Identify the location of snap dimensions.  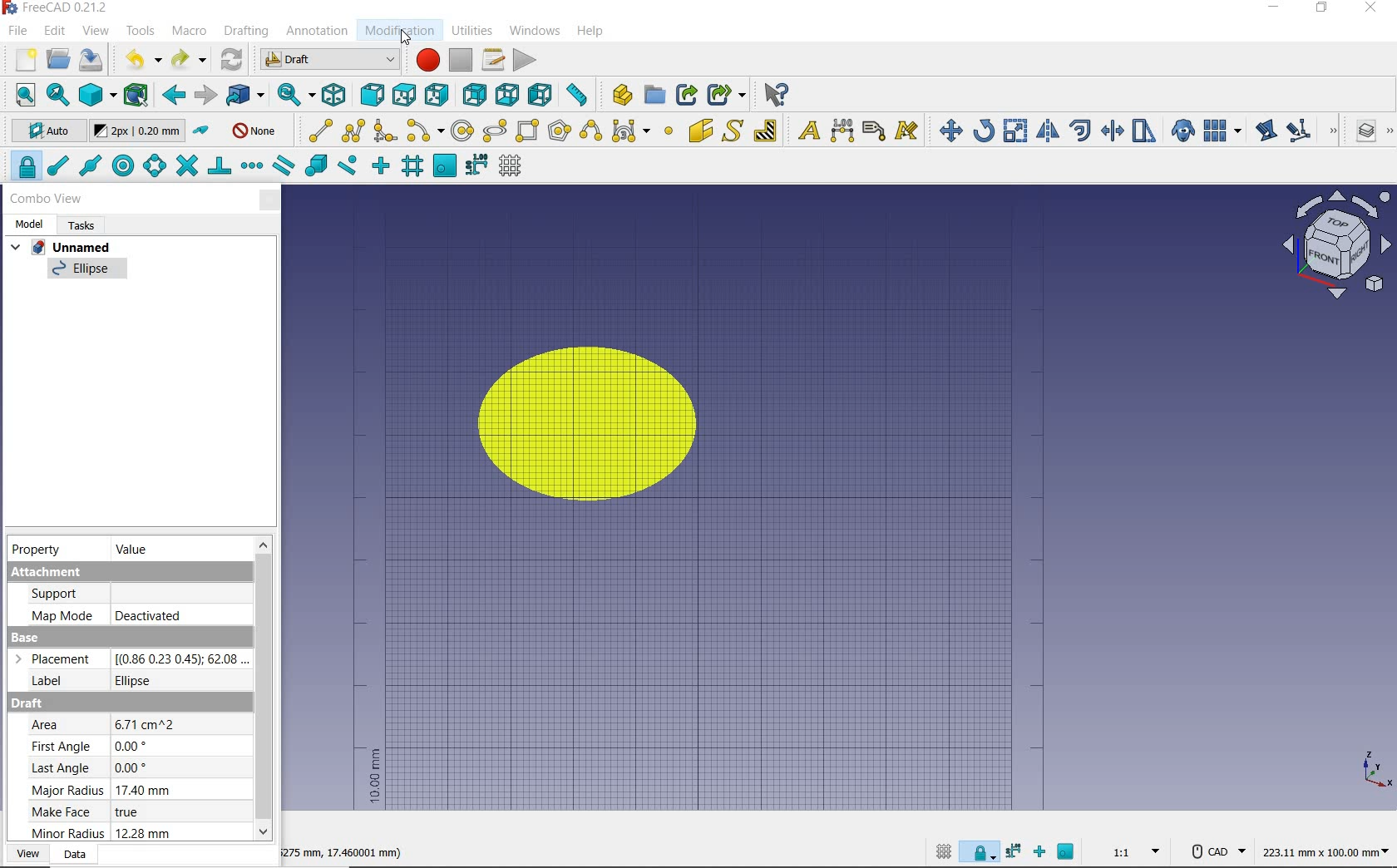
(476, 167).